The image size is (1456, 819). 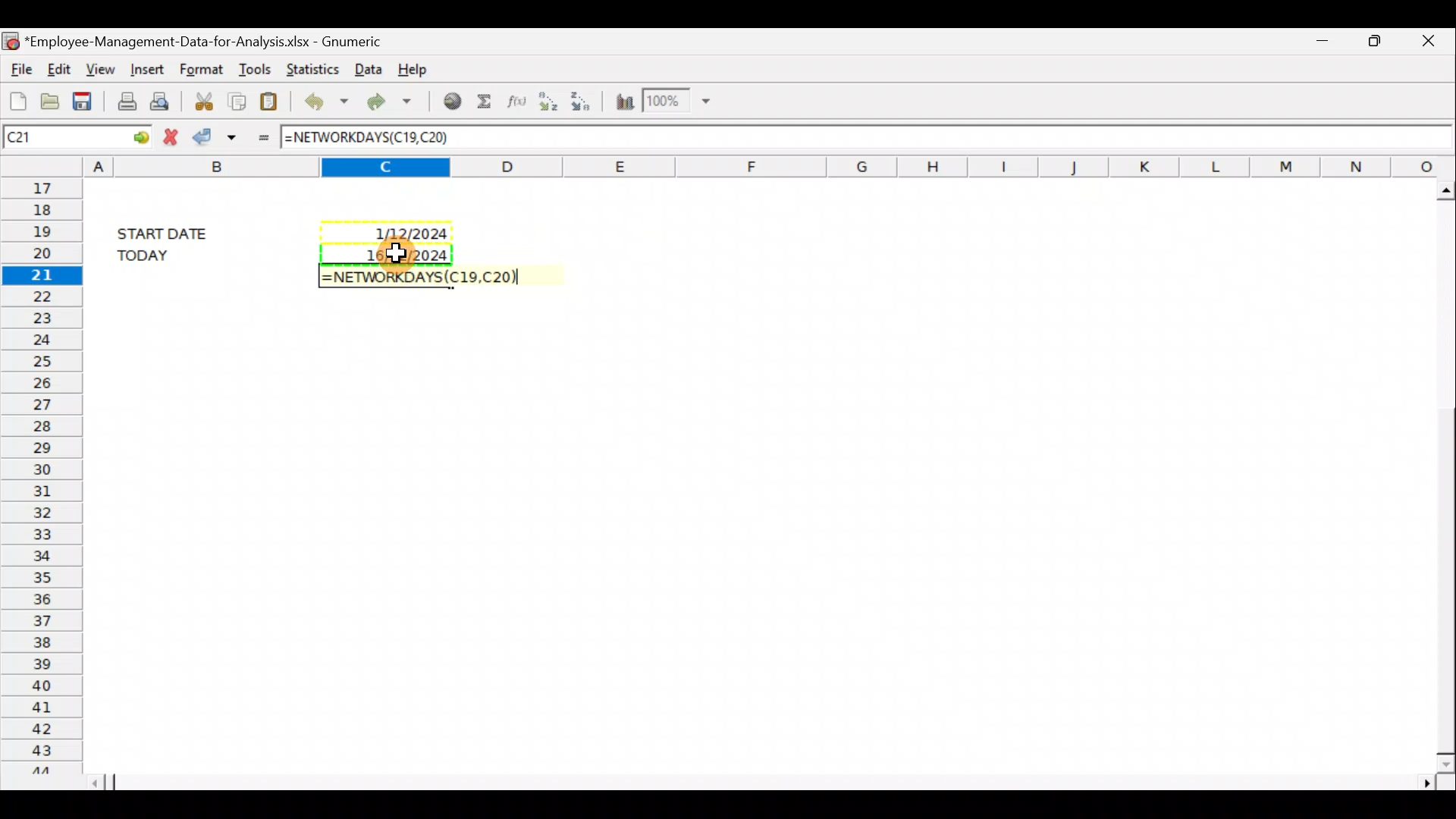 What do you see at coordinates (679, 102) in the screenshot?
I see `Zoom` at bounding box center [679, 102].